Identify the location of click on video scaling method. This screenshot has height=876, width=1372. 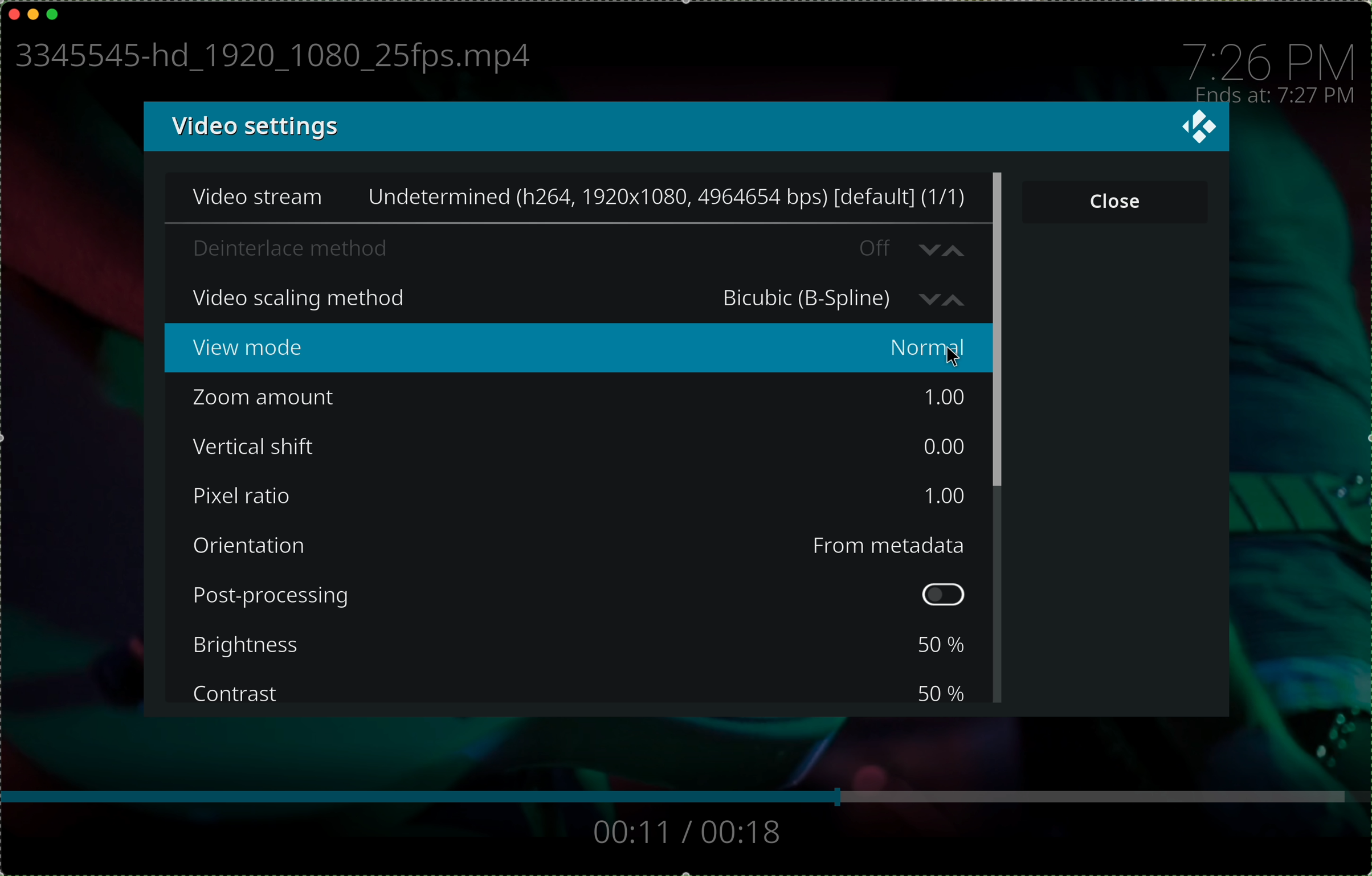
(578, 300).